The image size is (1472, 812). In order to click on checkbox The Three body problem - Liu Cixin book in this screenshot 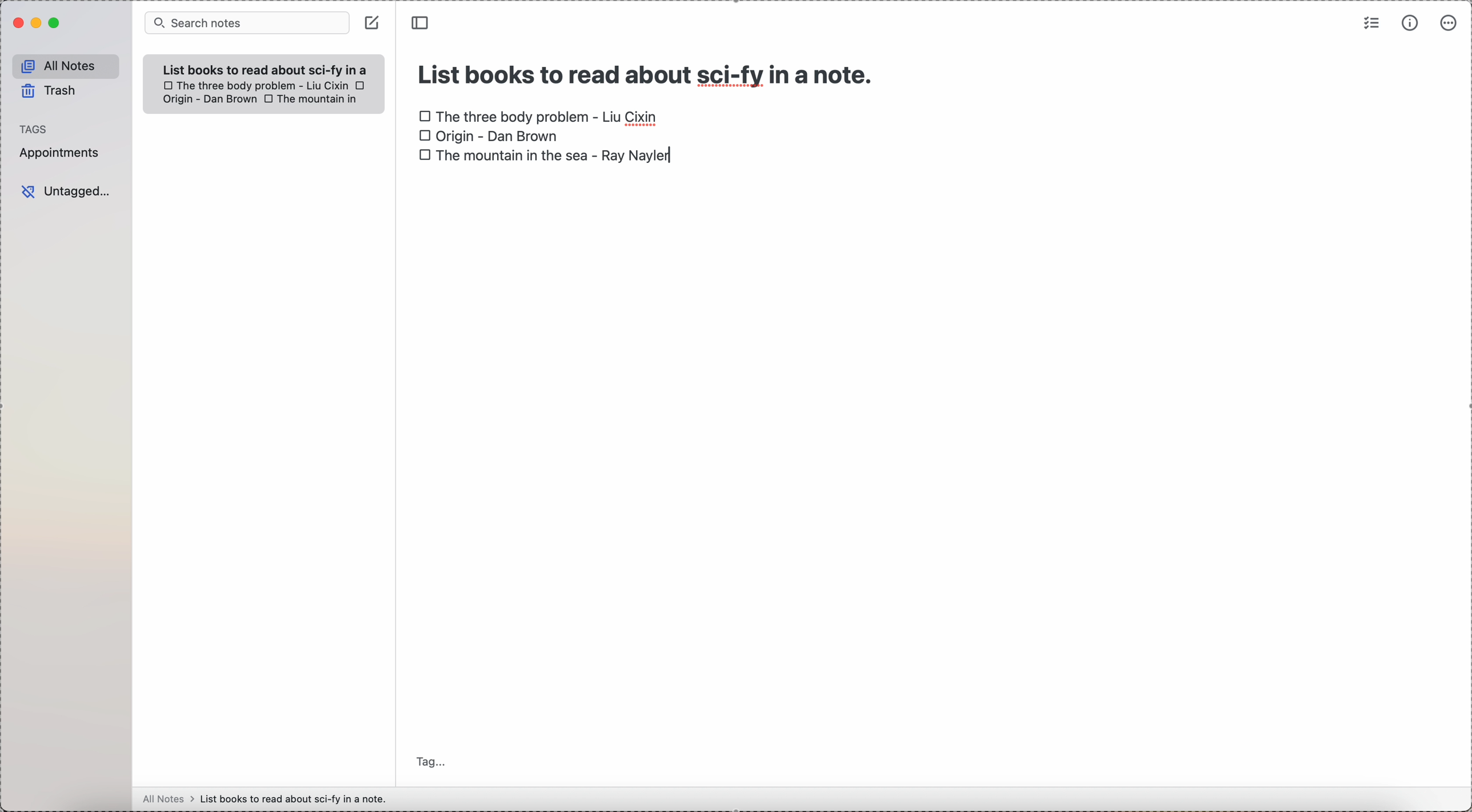, I will do `click(254, 85)`.